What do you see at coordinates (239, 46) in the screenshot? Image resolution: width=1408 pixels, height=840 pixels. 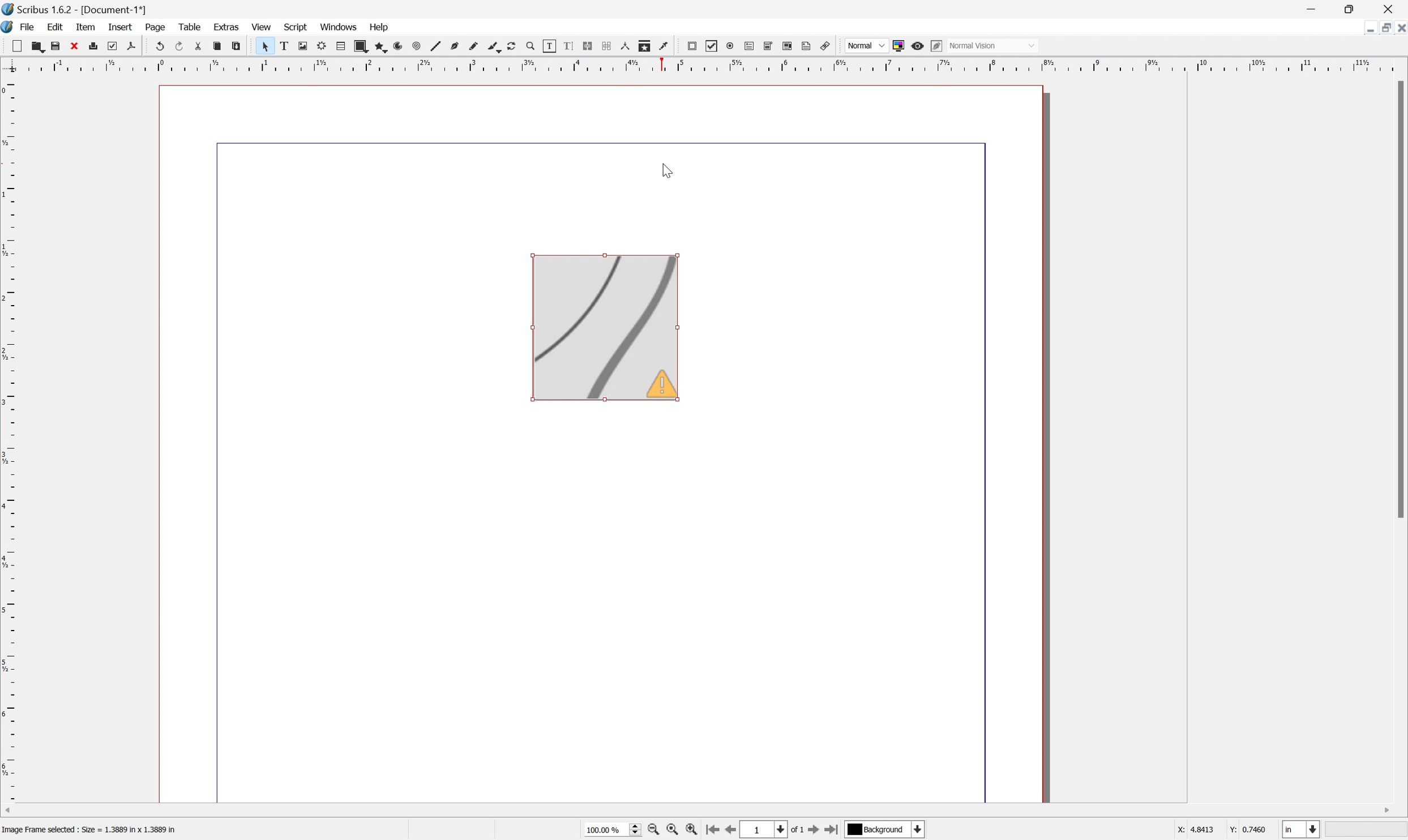 I see `Paste` at bounding box center [239, 46].